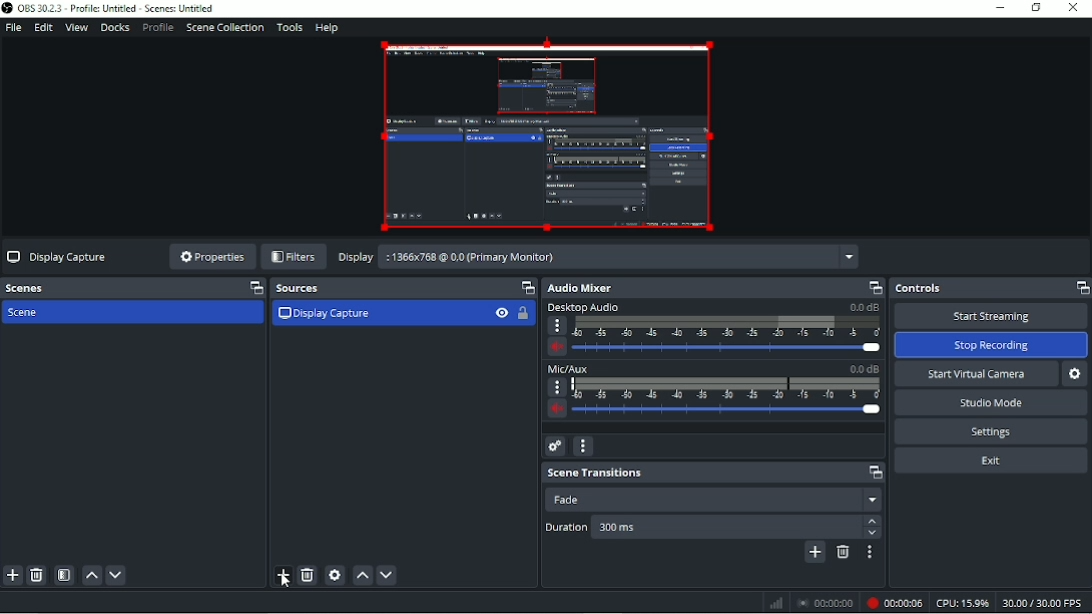 Image resolution: width=1092 pixels, height=614 pixels. I want to click on Studio mode, so click(991, 403).